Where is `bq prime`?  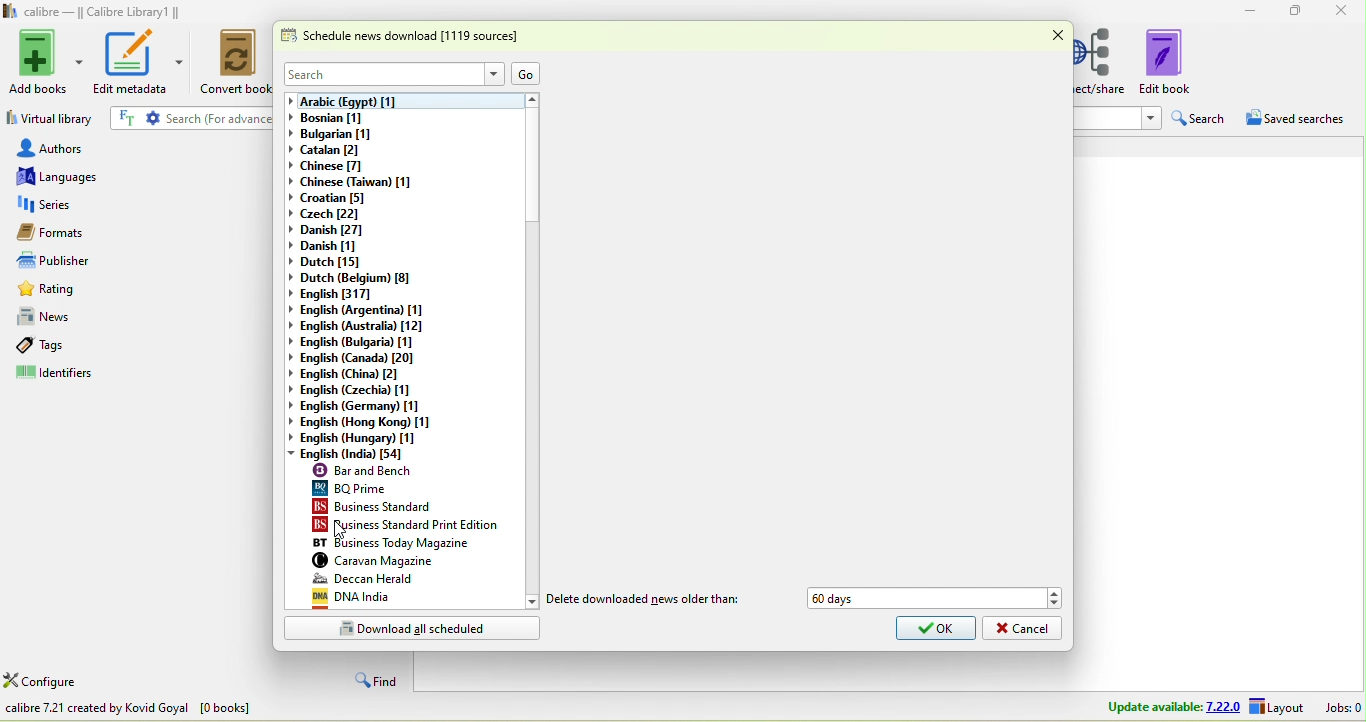
bq prime is located at coordinates (411, 487).